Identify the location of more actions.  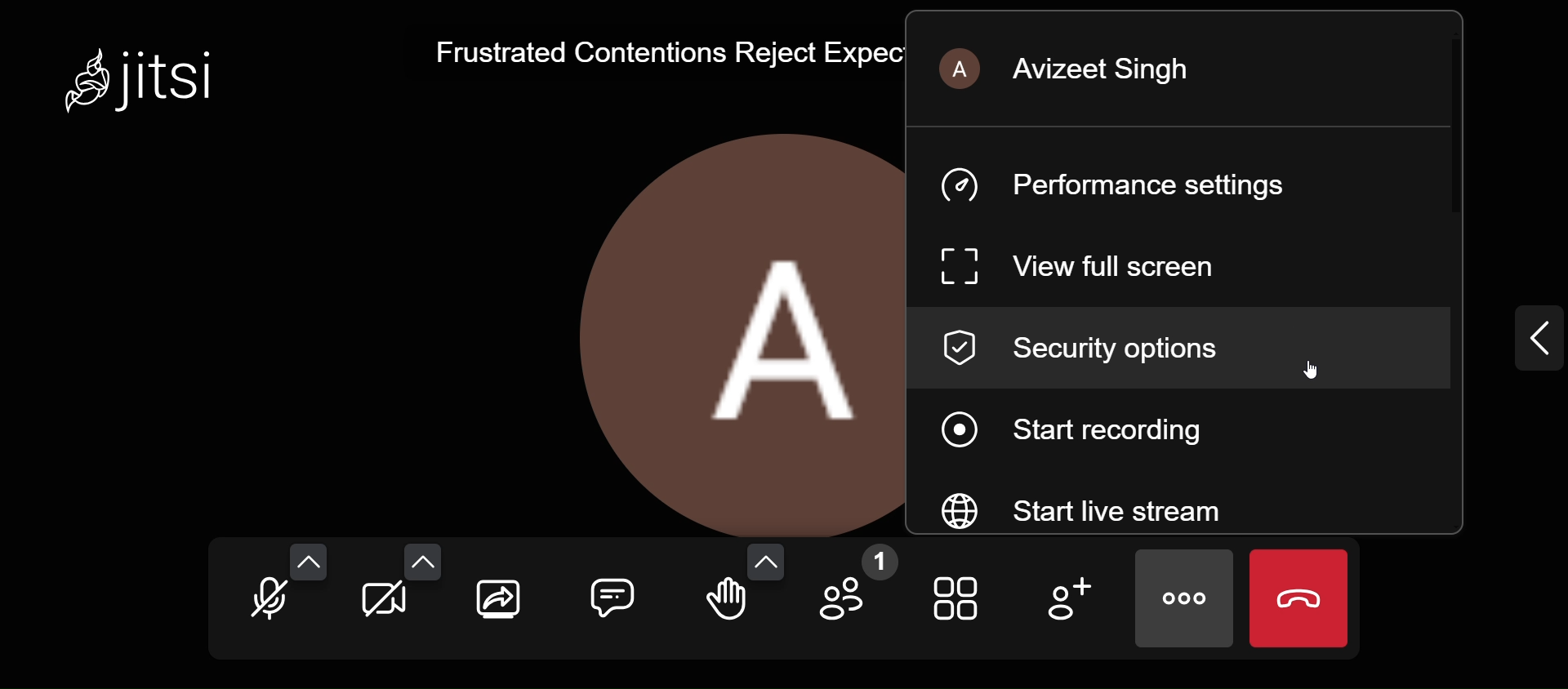
(1143, 599).